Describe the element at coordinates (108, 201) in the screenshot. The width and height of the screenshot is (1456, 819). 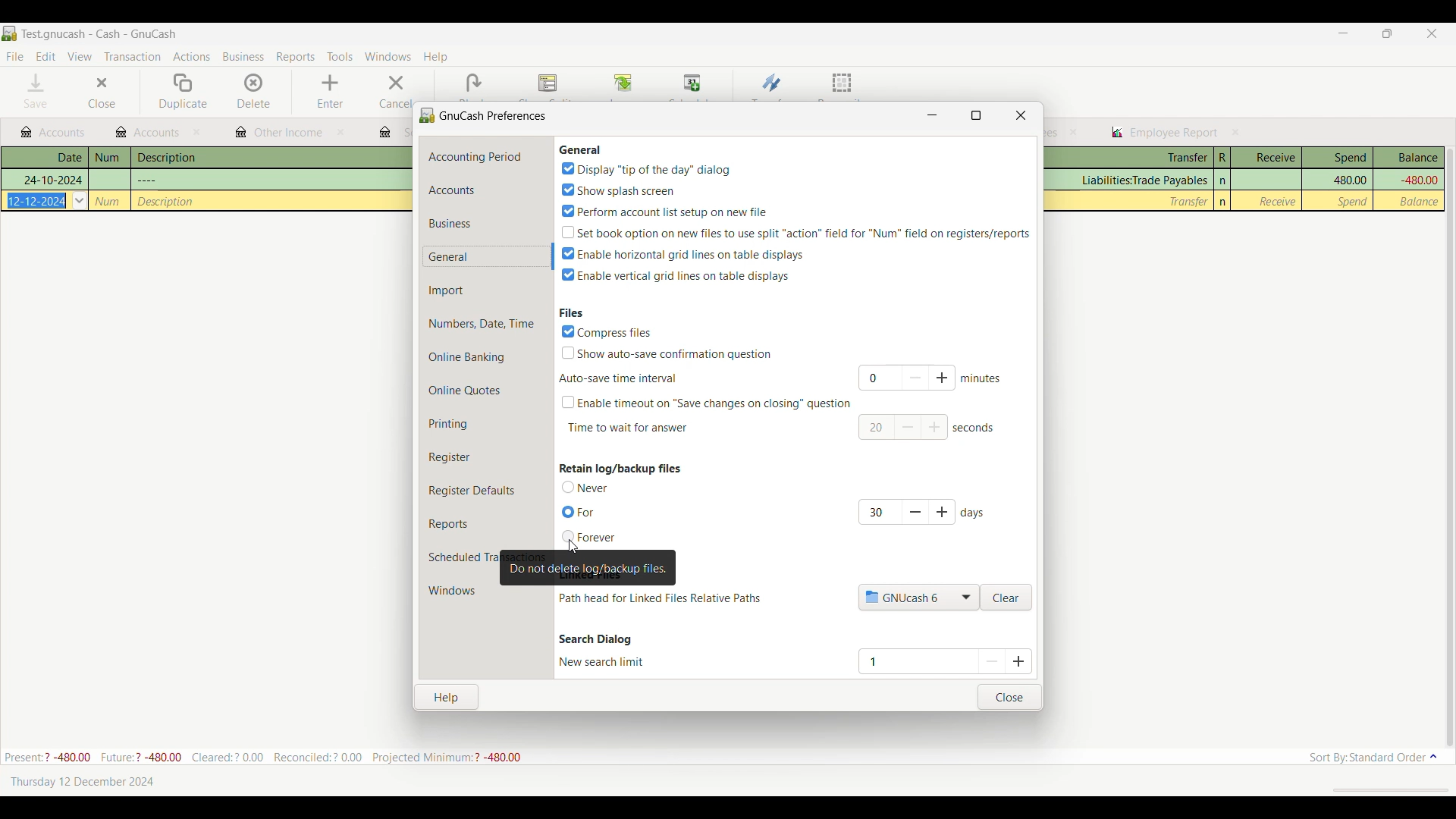
I see `` at that location.